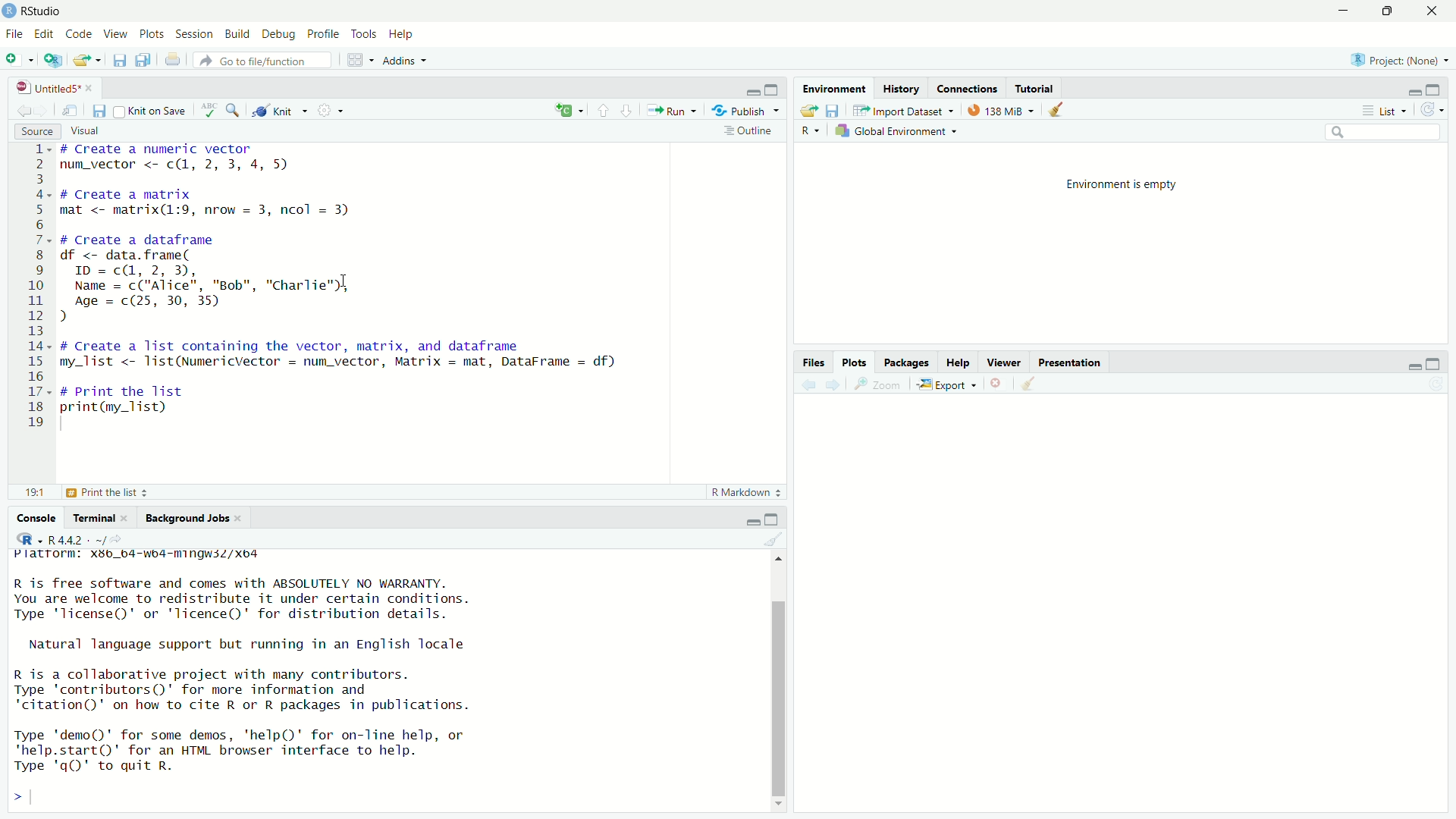 The height and width of the screenshot is (819, 1456). Describe the element at coordinates (53, 62) in the screenshot. I see `add script` at that location.